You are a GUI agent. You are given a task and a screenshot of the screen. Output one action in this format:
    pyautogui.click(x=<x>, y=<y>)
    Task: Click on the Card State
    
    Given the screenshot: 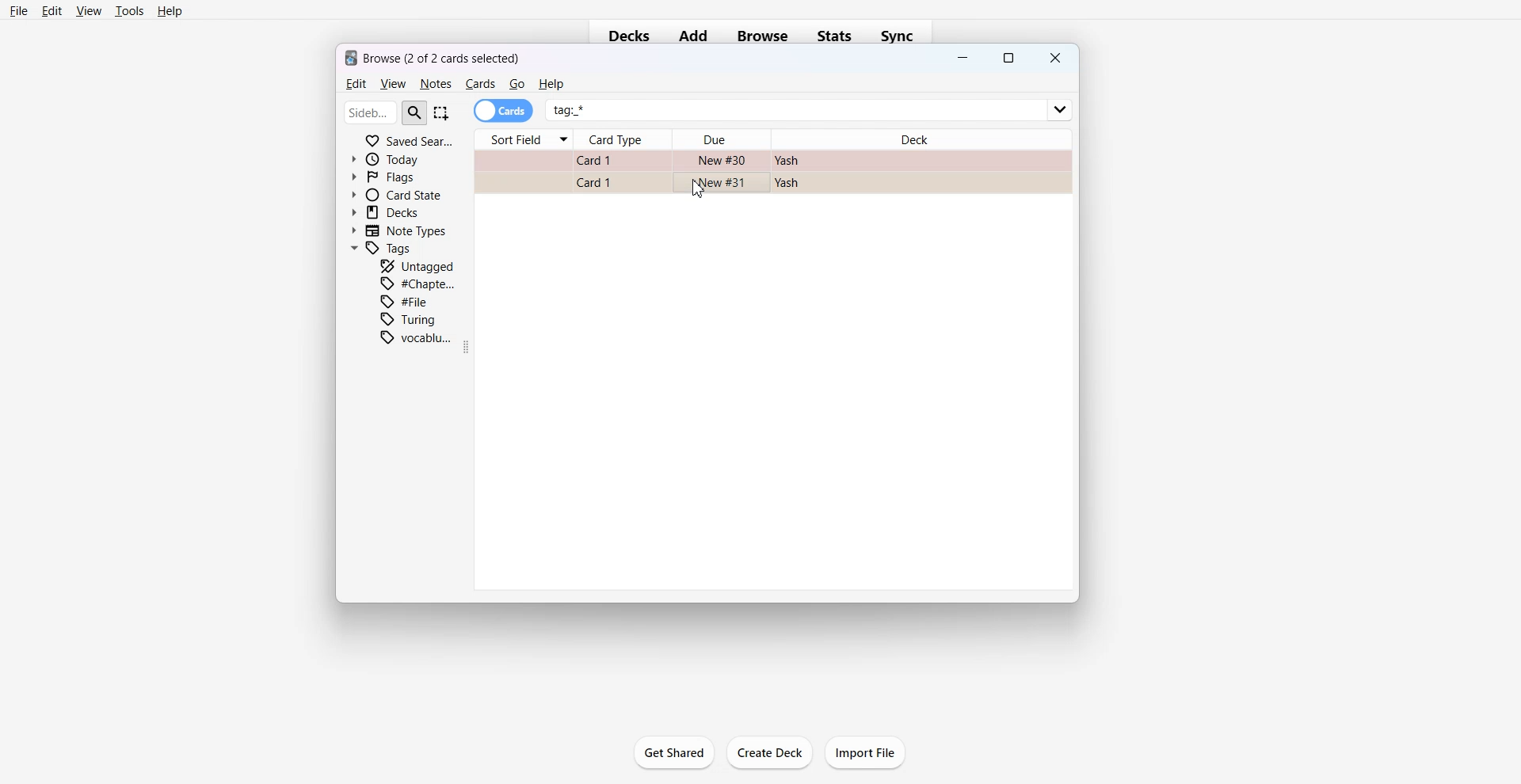 What is the action you would take?
    pyautogui.click(x=395, y=194)
    